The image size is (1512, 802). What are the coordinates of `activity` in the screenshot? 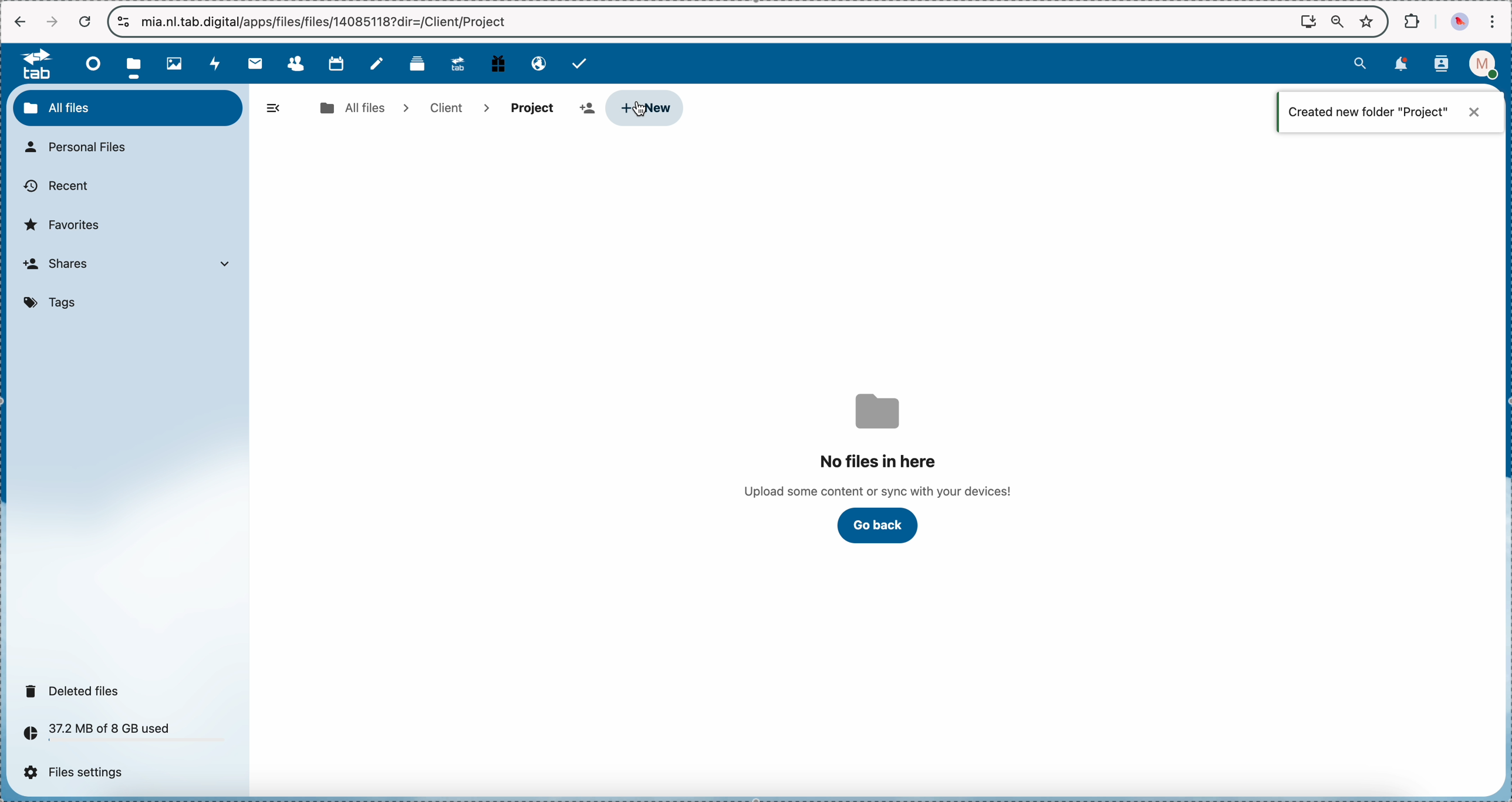 It's located at (217, 63).